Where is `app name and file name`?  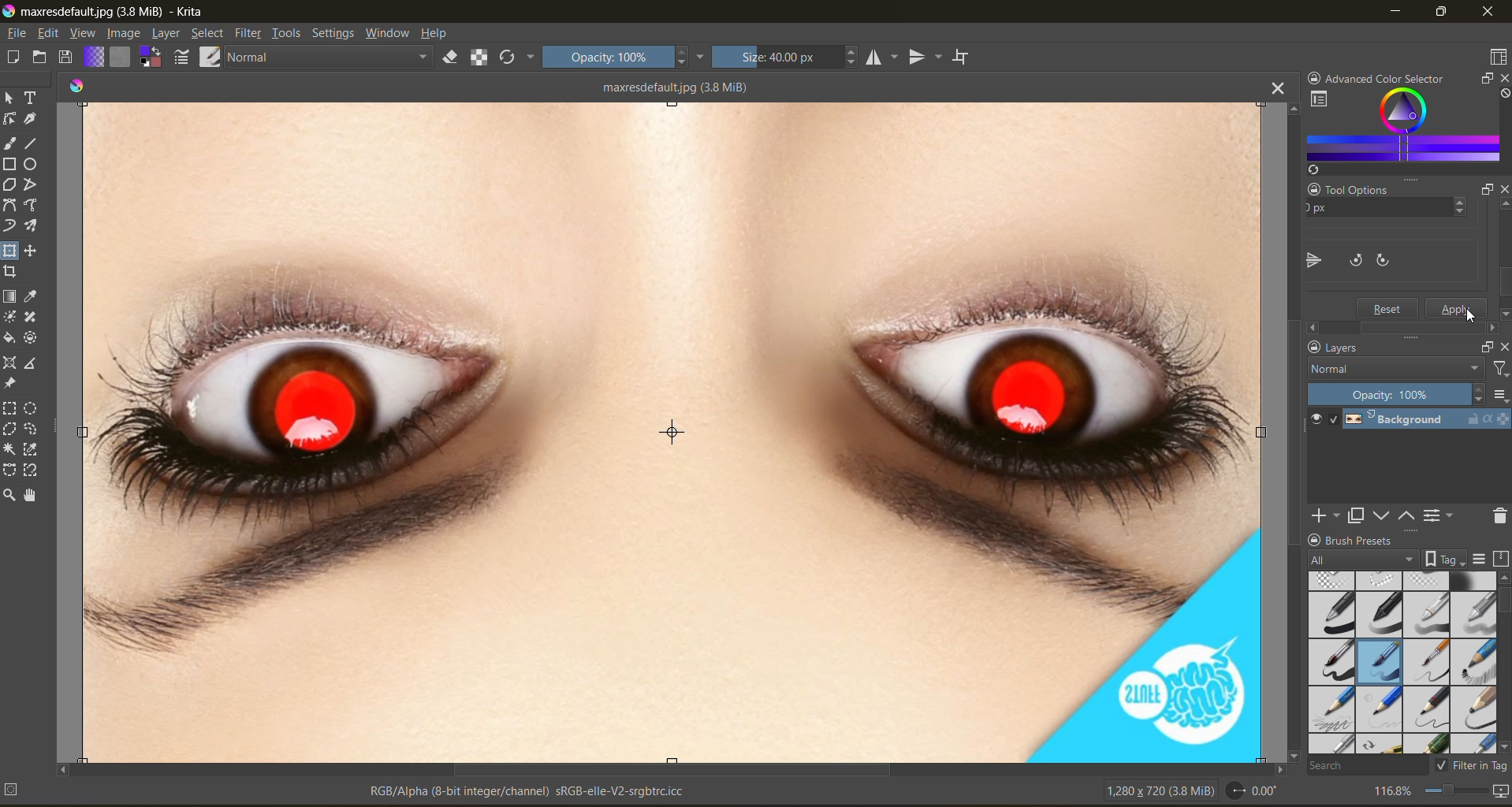
app name and file name is located at coordinates (109, 13).